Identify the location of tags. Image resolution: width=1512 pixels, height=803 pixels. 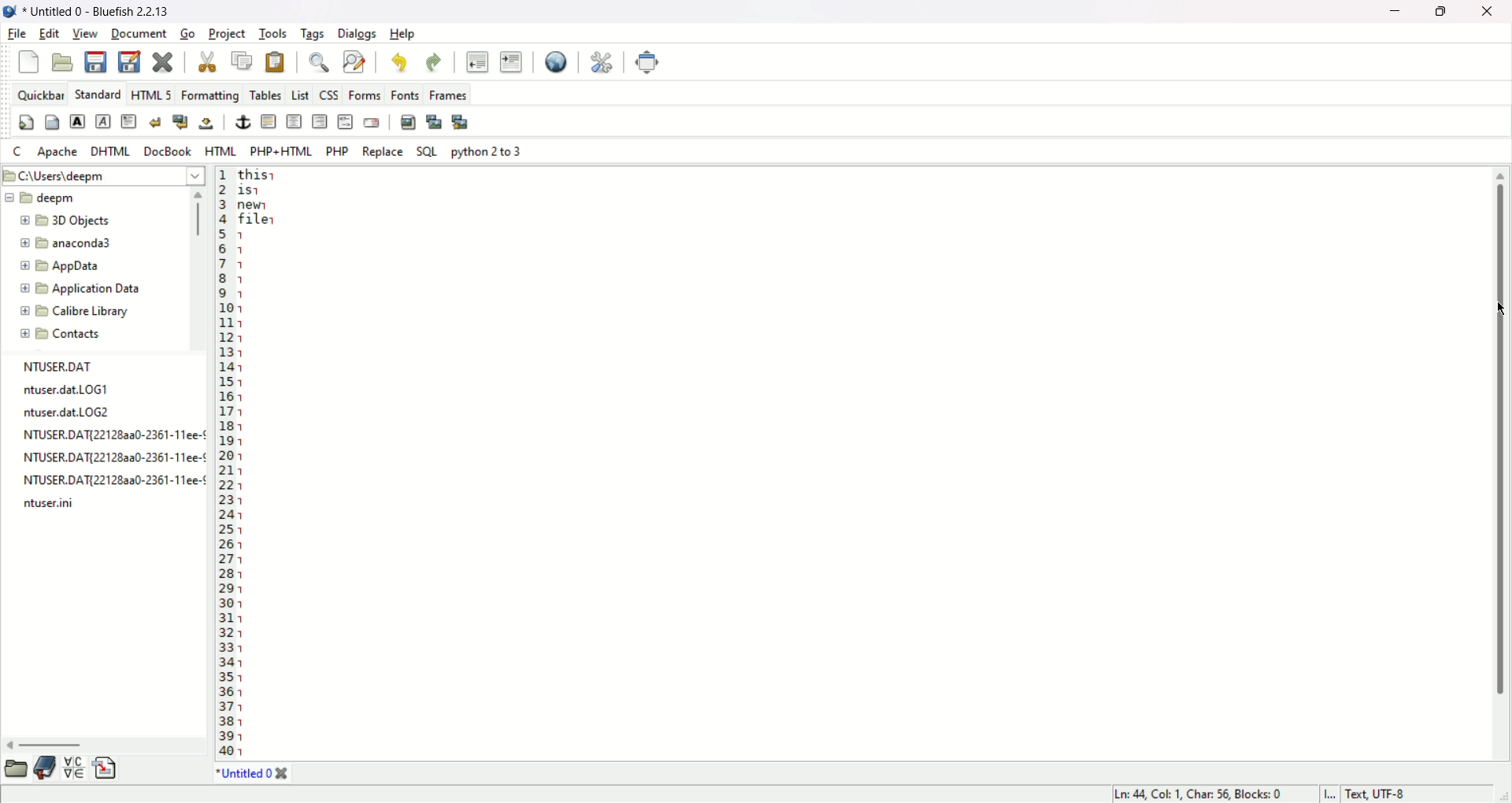
(313, 35).